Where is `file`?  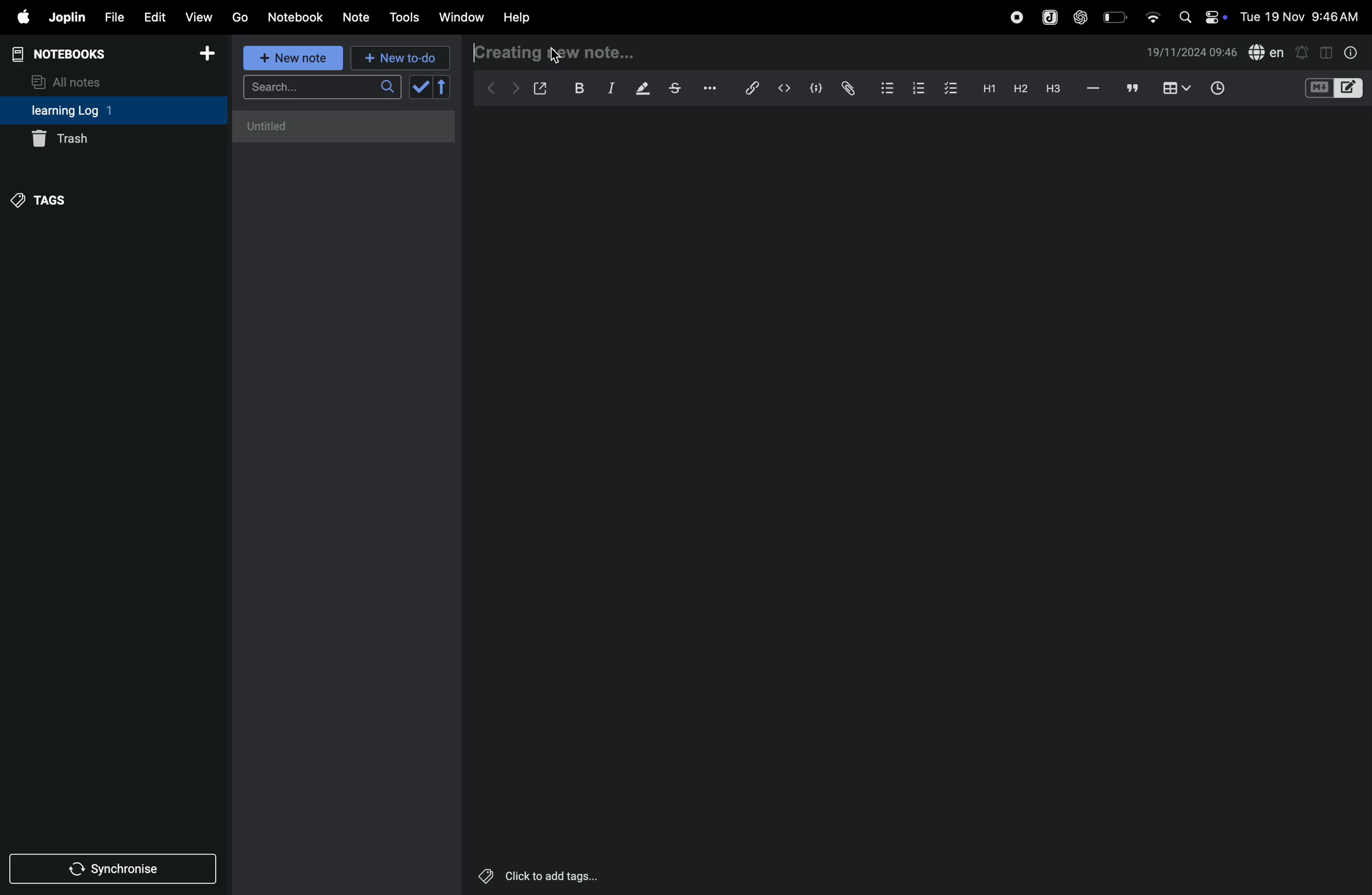
file is located at coordinates (112, 18).